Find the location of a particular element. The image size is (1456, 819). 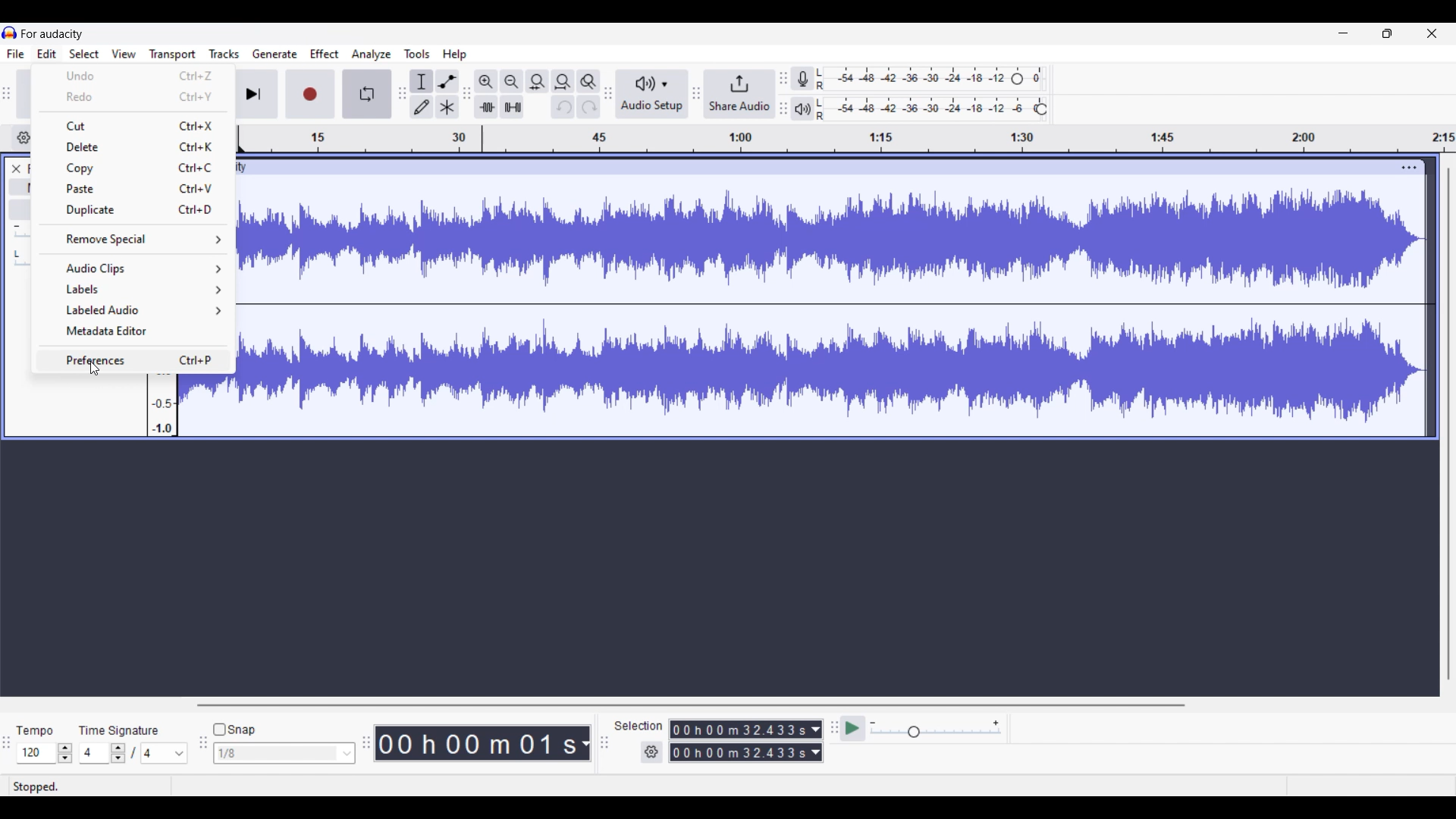

Software logo is located at coordinates (10, 33).